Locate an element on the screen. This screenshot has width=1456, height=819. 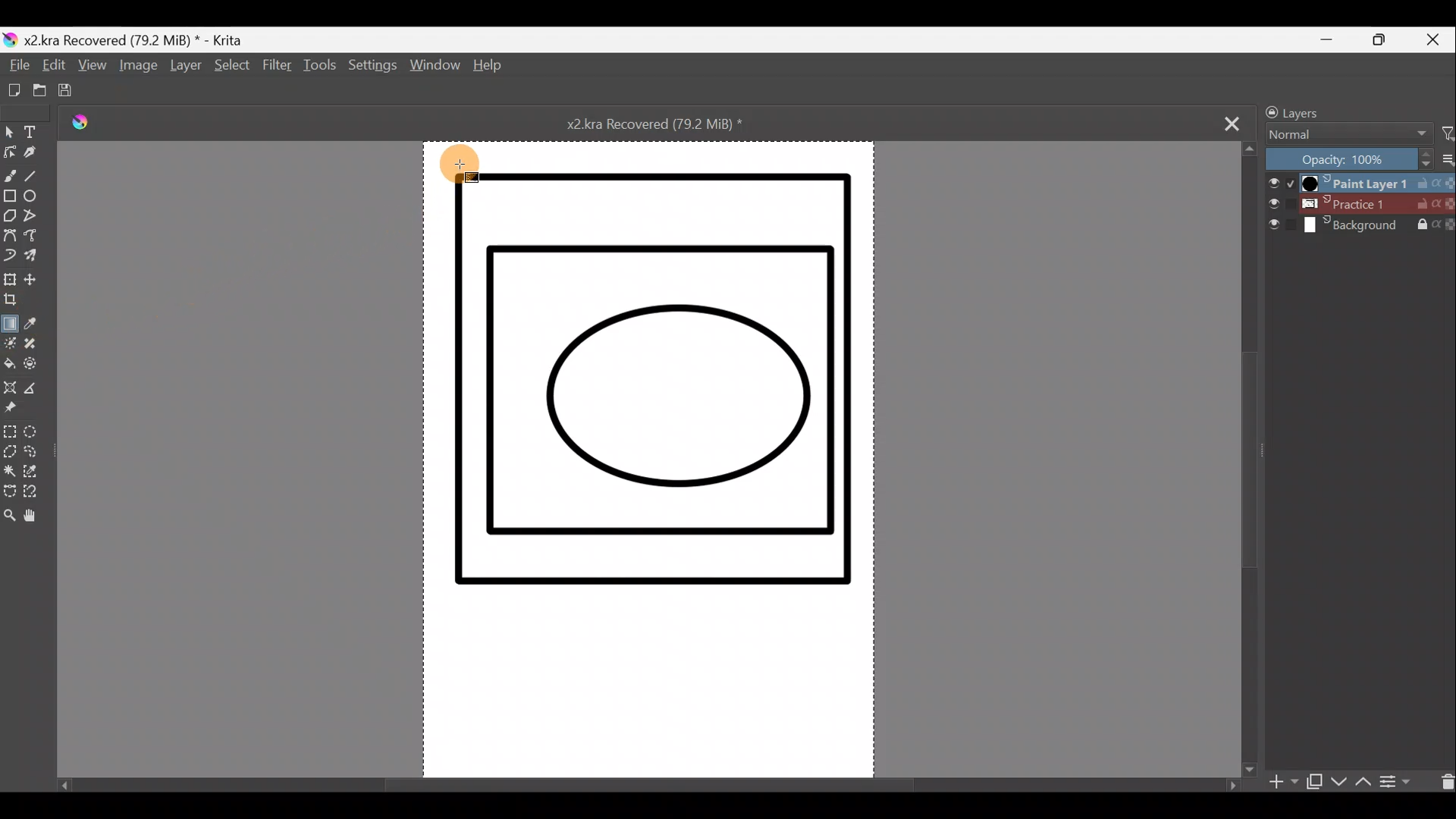
Settings is located at coordinates (374, 70).